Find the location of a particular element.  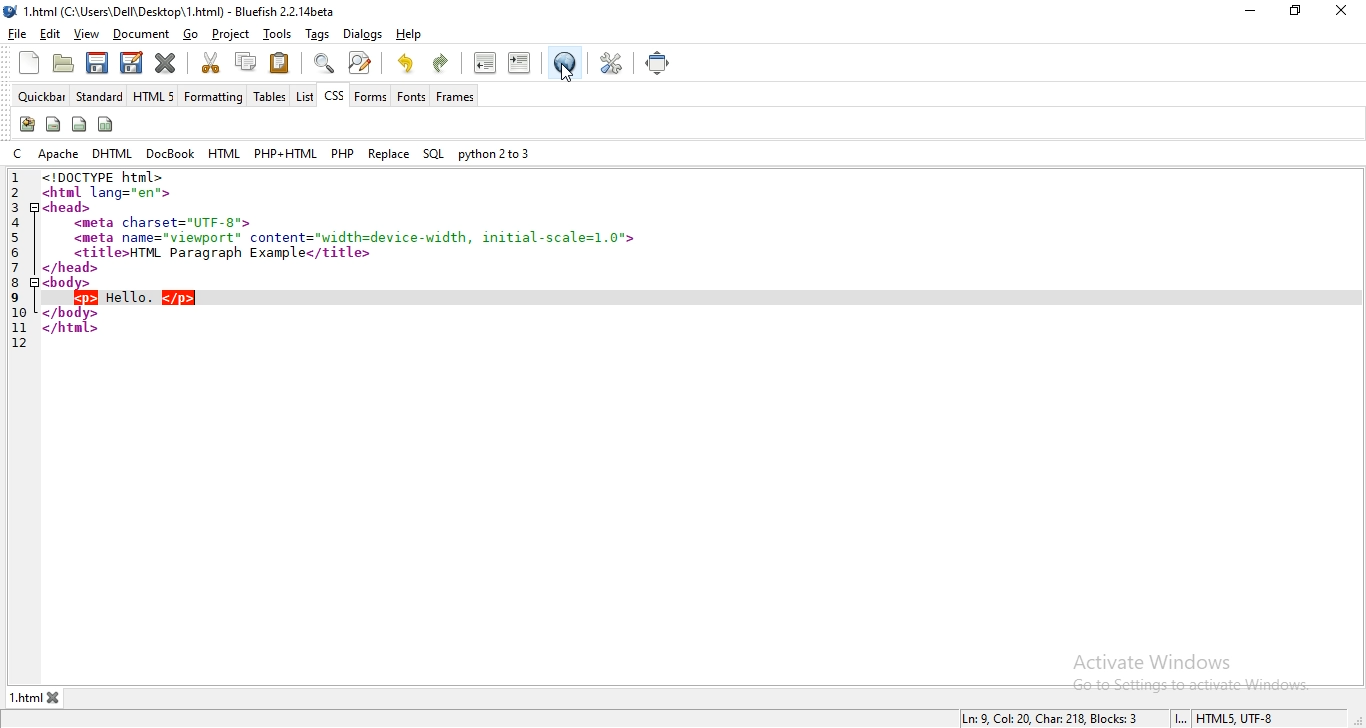

<meta name="viewport" content="width=device-width, i1nitial-scale=1.0"> is located at coordinates (356, 239).